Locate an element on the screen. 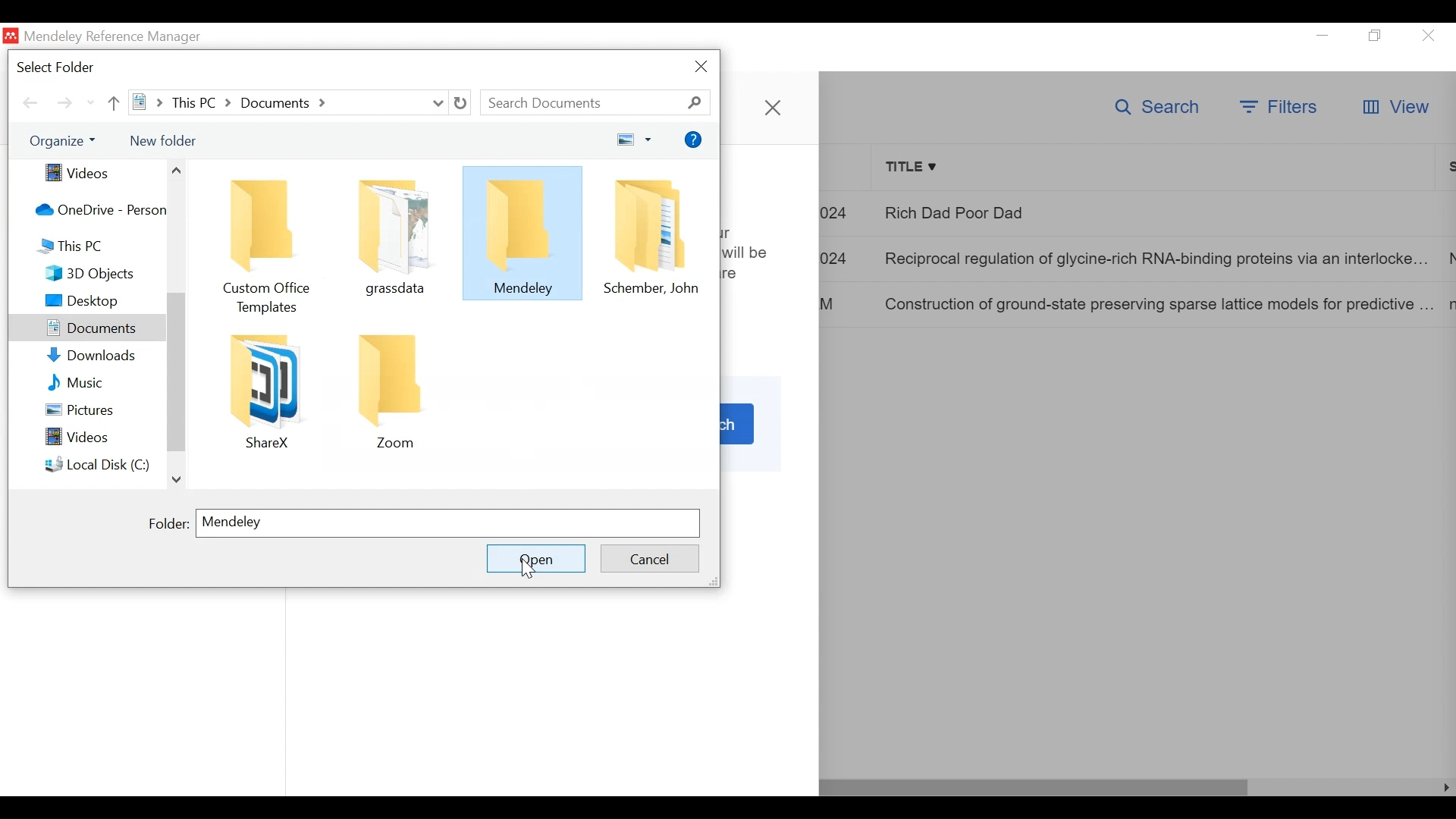 The width and height of the screenshot is (1456, 819). Search Documents is located at coordinates (595, 103).